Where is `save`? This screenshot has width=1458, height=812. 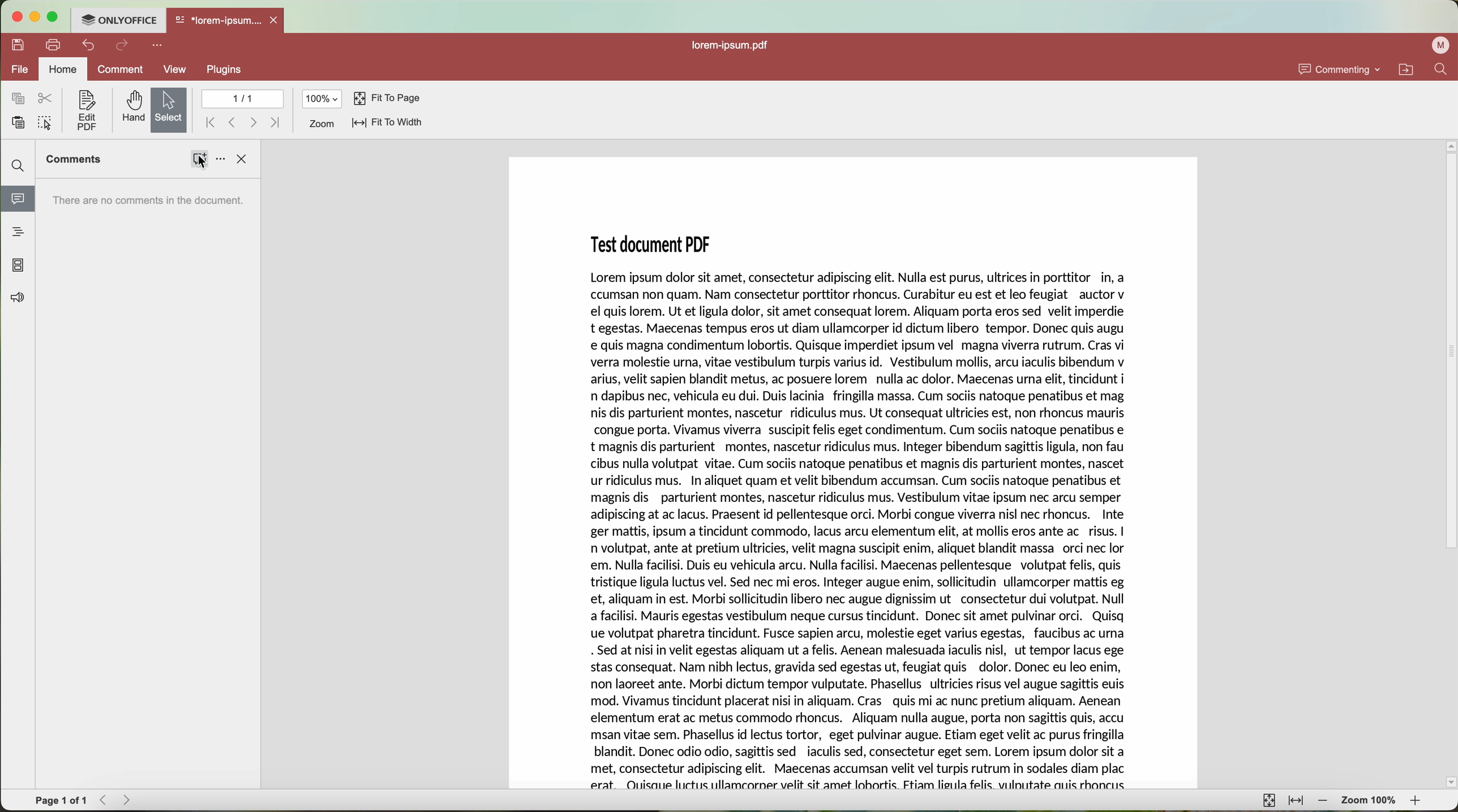 save is located at coordinates (15, 44).